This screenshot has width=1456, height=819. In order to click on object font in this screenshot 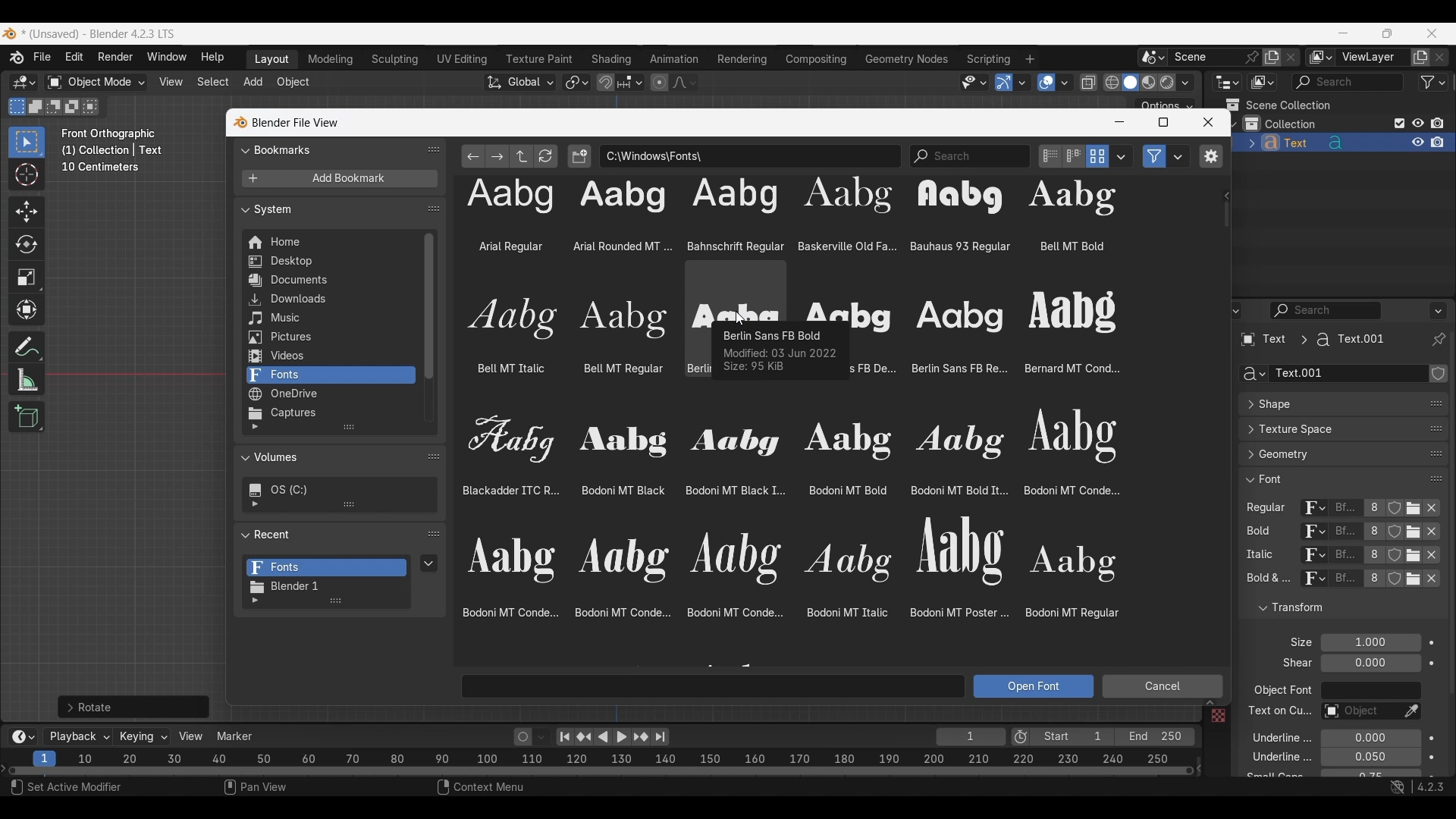, I will do `click(1282, 692)`.